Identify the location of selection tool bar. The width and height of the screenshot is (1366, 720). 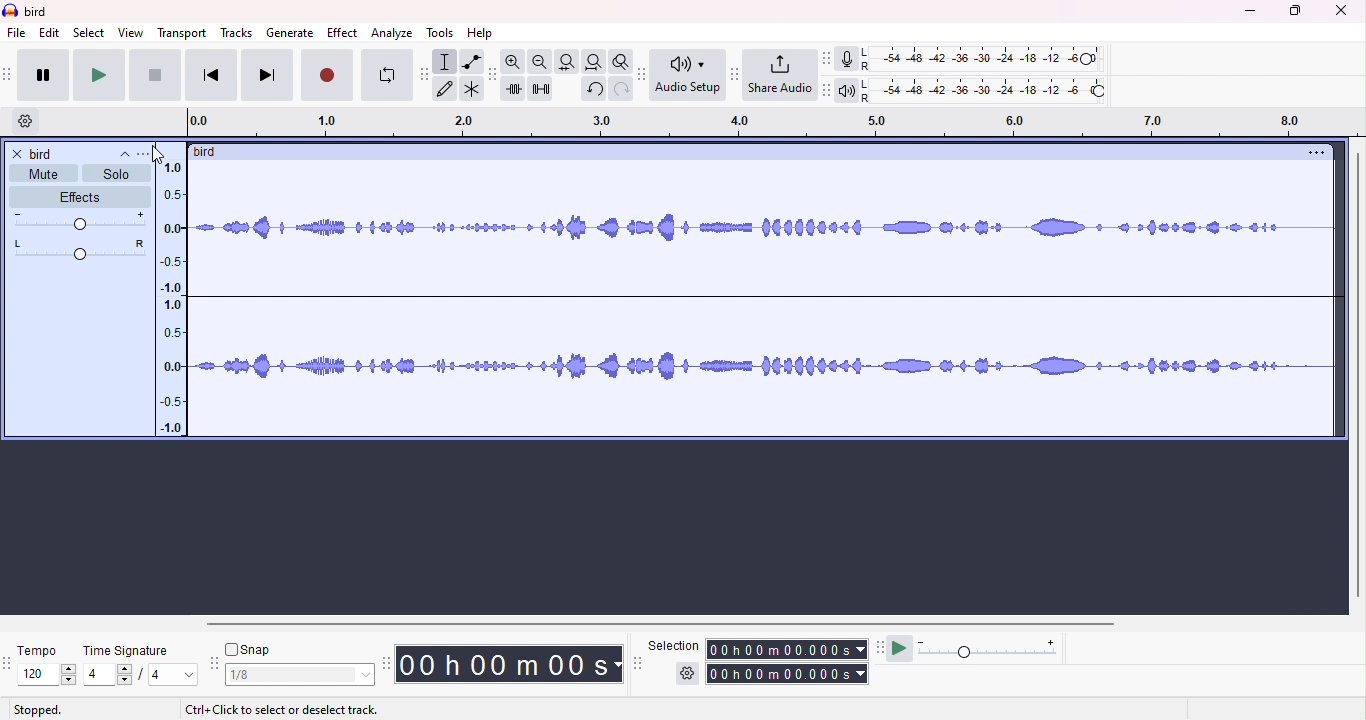
(636, 662).